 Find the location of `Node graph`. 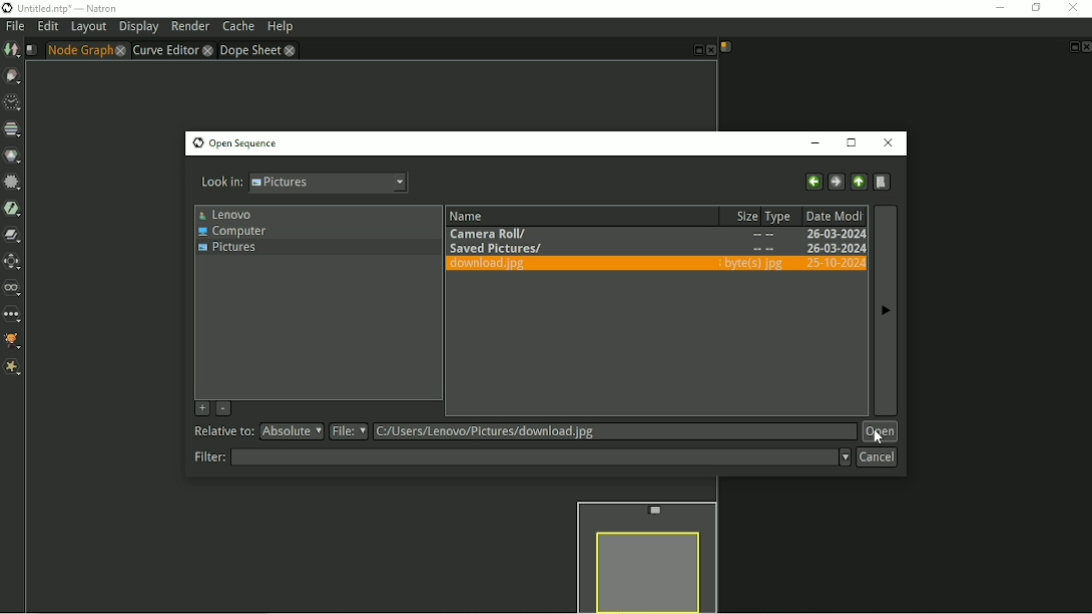

Node graph is located at coordinates (86, 50).